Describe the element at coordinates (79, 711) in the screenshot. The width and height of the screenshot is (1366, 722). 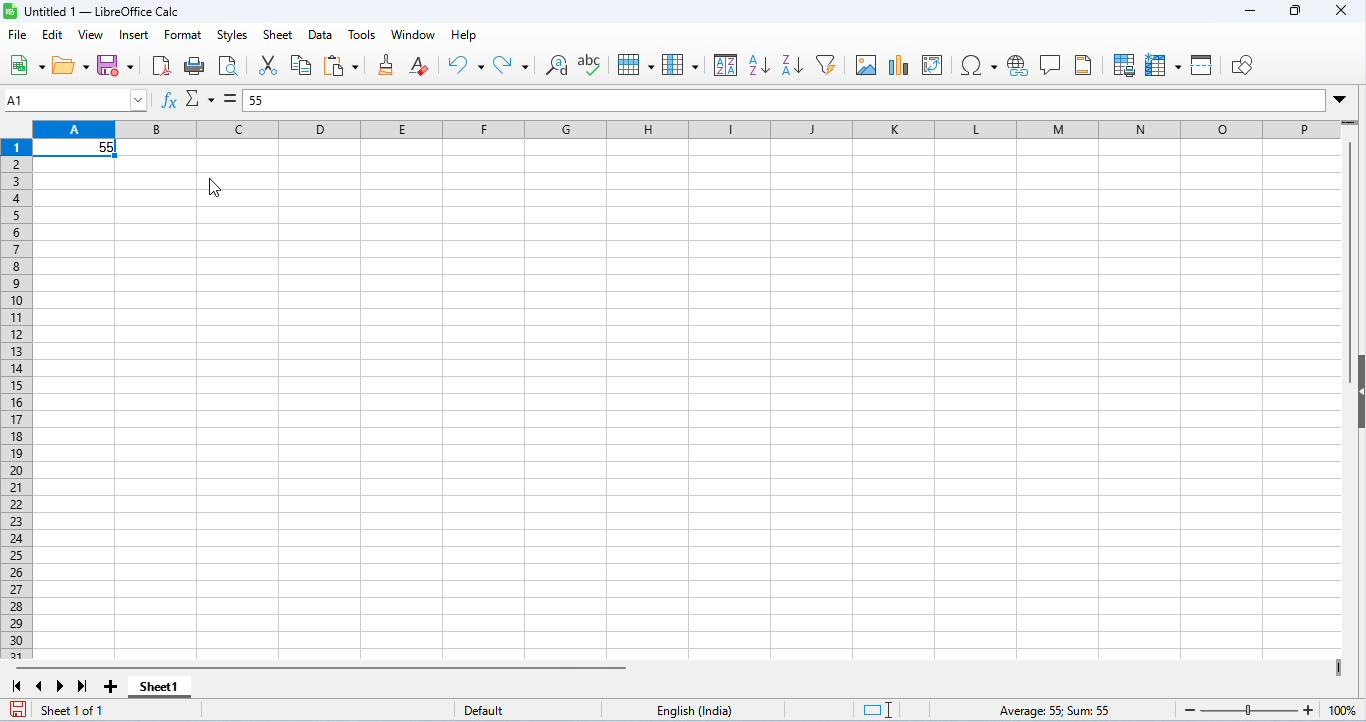
I see `sheet 1 of 1` at that location.